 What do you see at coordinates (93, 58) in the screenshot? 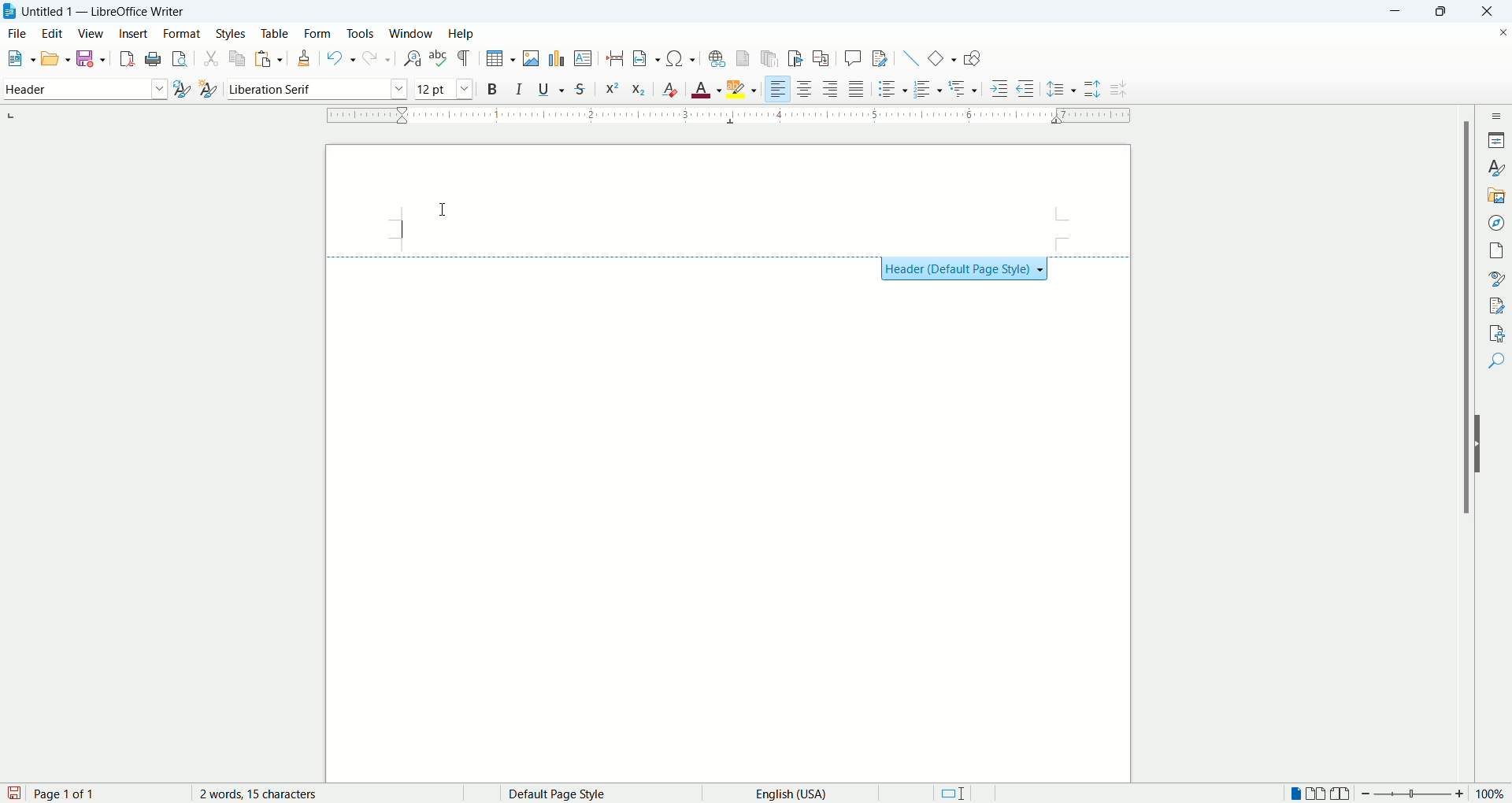
I see `save` at bounding box center [93, 58].